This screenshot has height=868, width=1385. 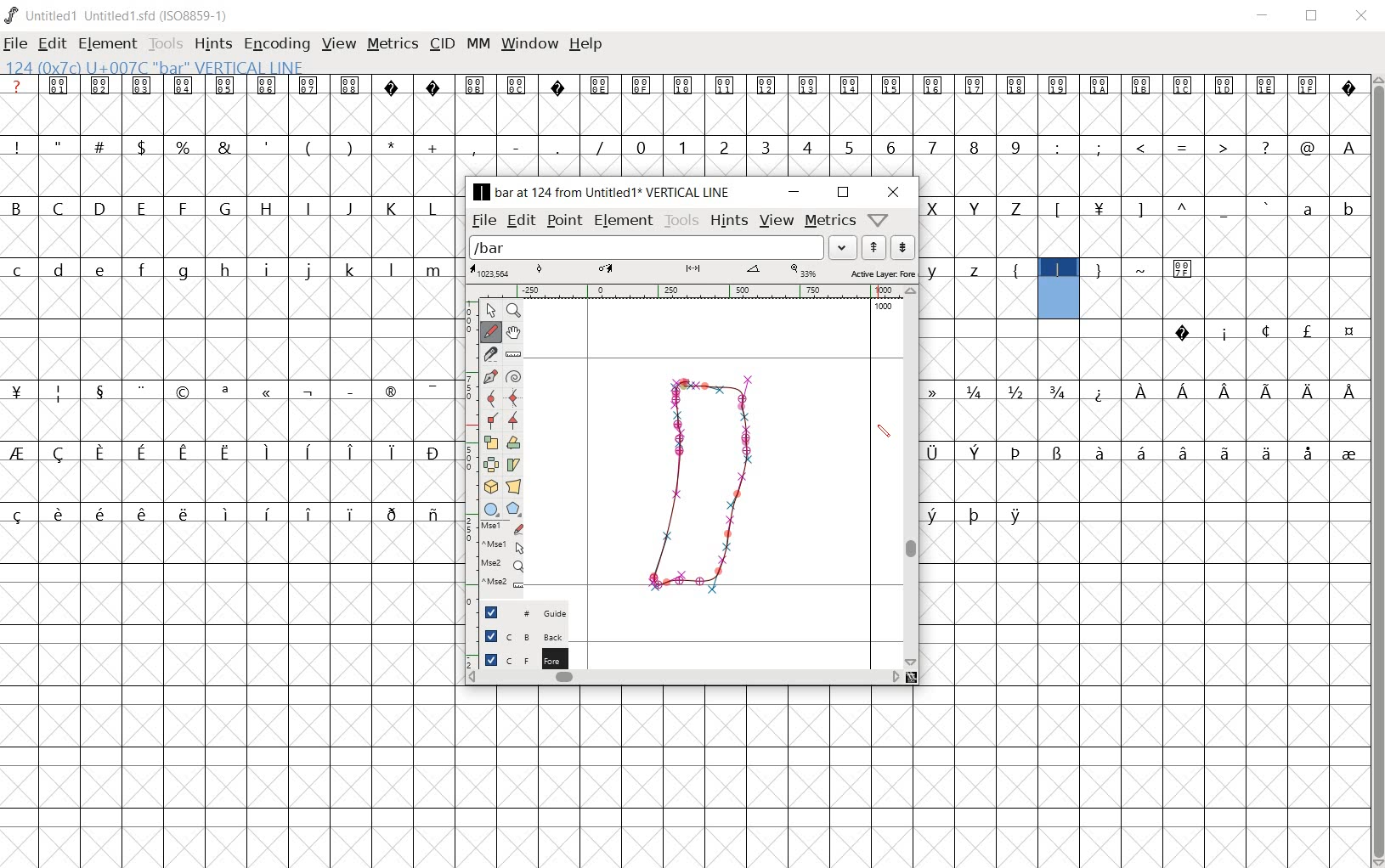 I want to click on draw a freehand curve, so click(x=491, y=331).